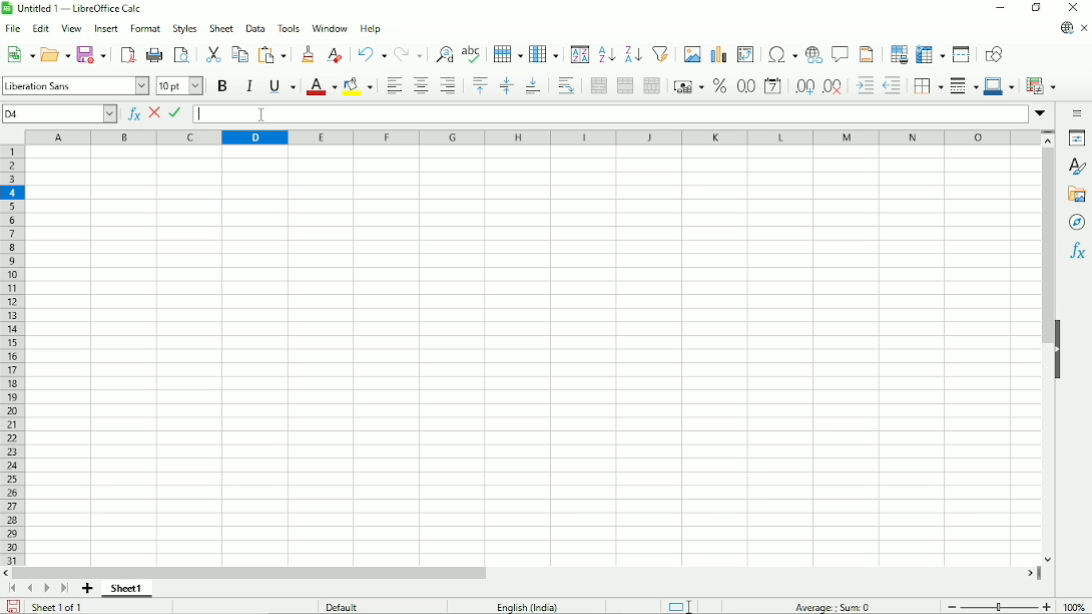 The height and width of the screenshot is (614, 1092). I want to click on Export directly as PDF, so click(129, 55).